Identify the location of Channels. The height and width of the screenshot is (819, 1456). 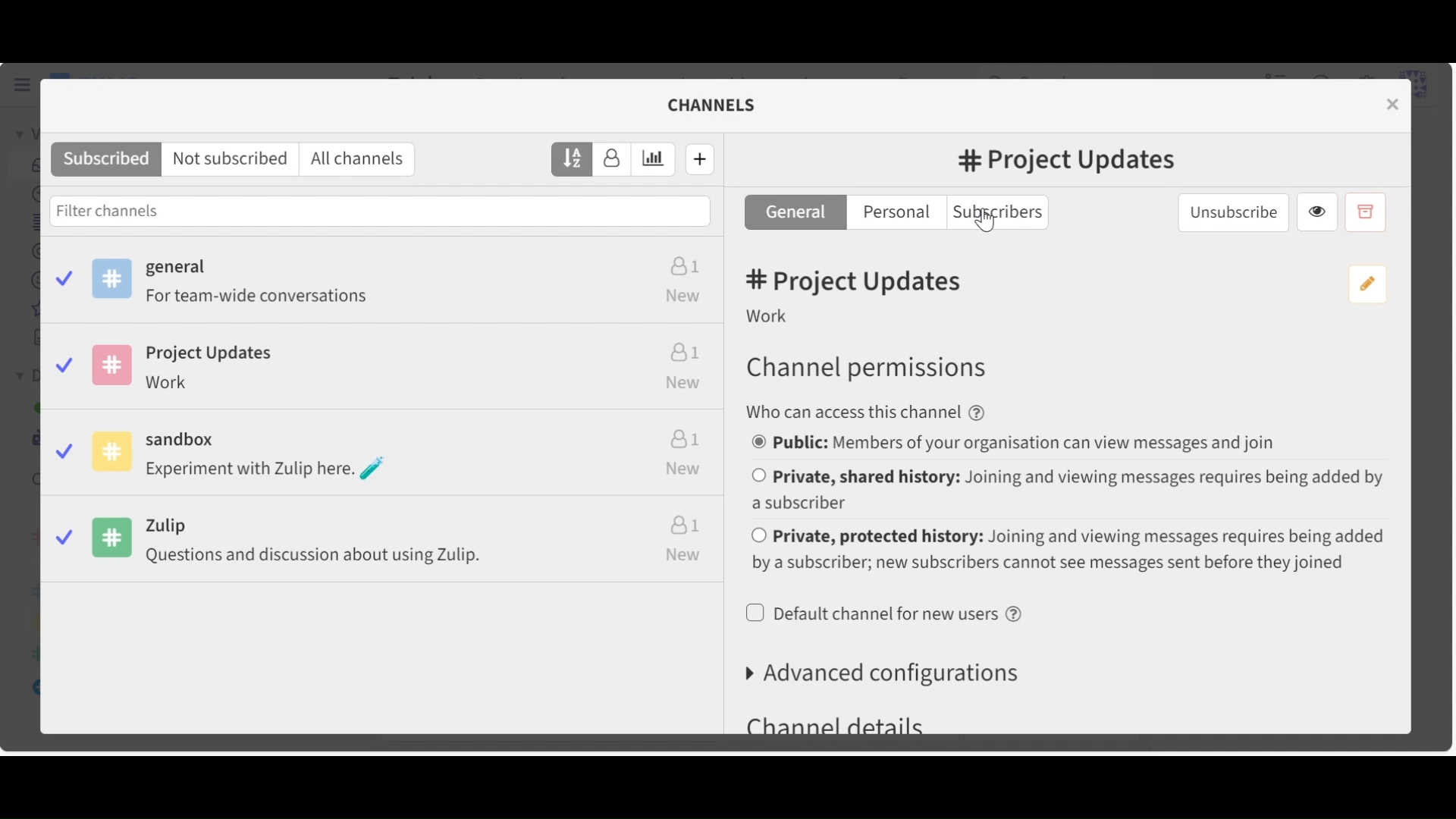
(711, 104).